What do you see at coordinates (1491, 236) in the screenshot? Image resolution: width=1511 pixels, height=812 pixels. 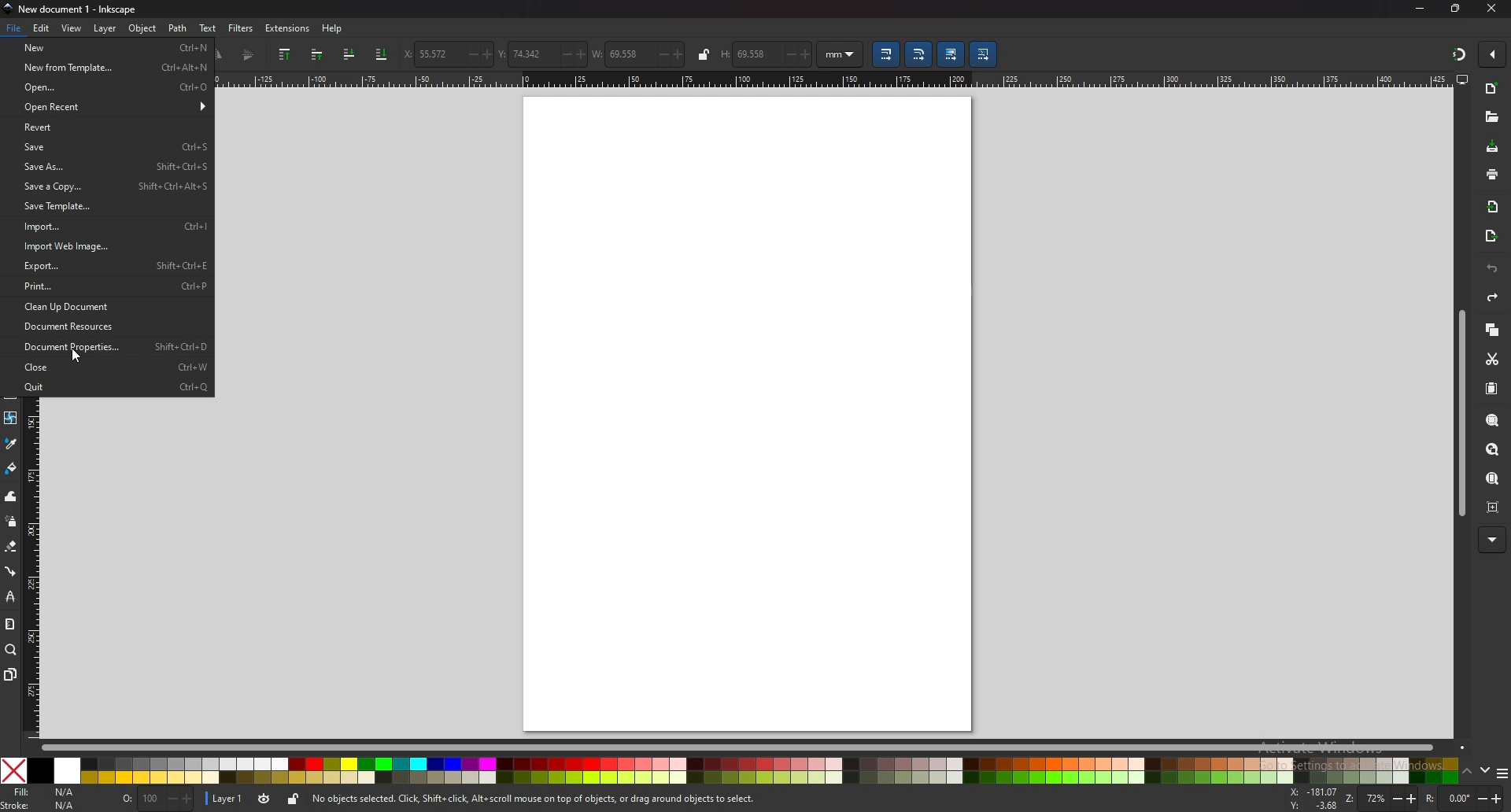 I see `export` at bounding box center [1491, 236].